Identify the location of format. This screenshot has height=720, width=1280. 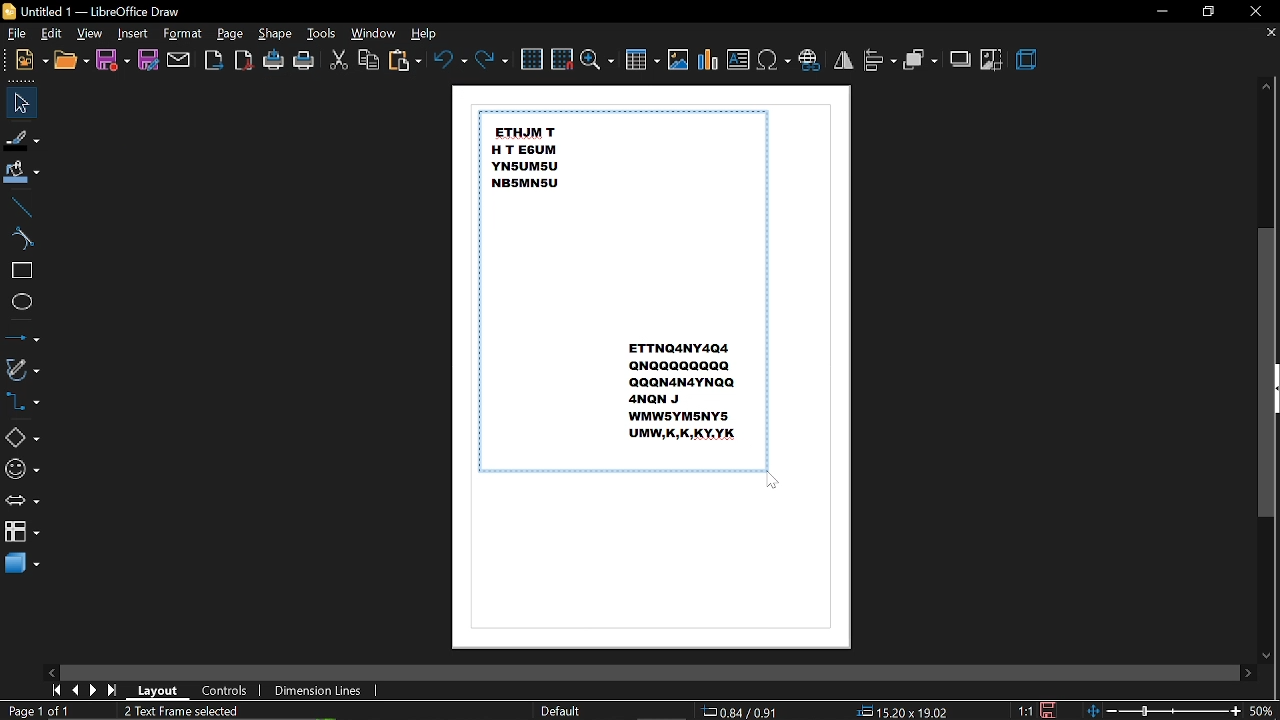
(183, 34).